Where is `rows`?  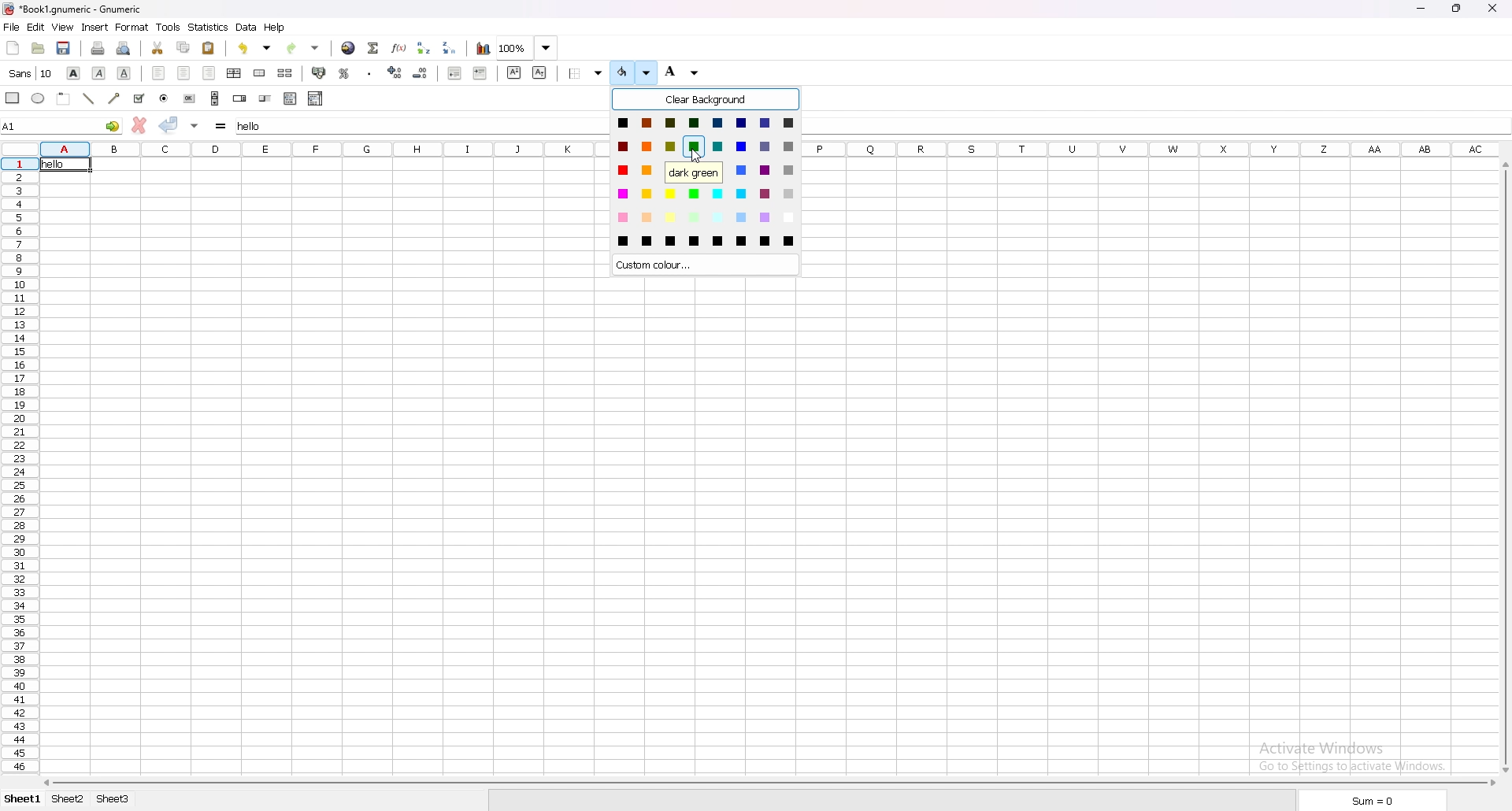
rows is located at coordinates (15, 465).